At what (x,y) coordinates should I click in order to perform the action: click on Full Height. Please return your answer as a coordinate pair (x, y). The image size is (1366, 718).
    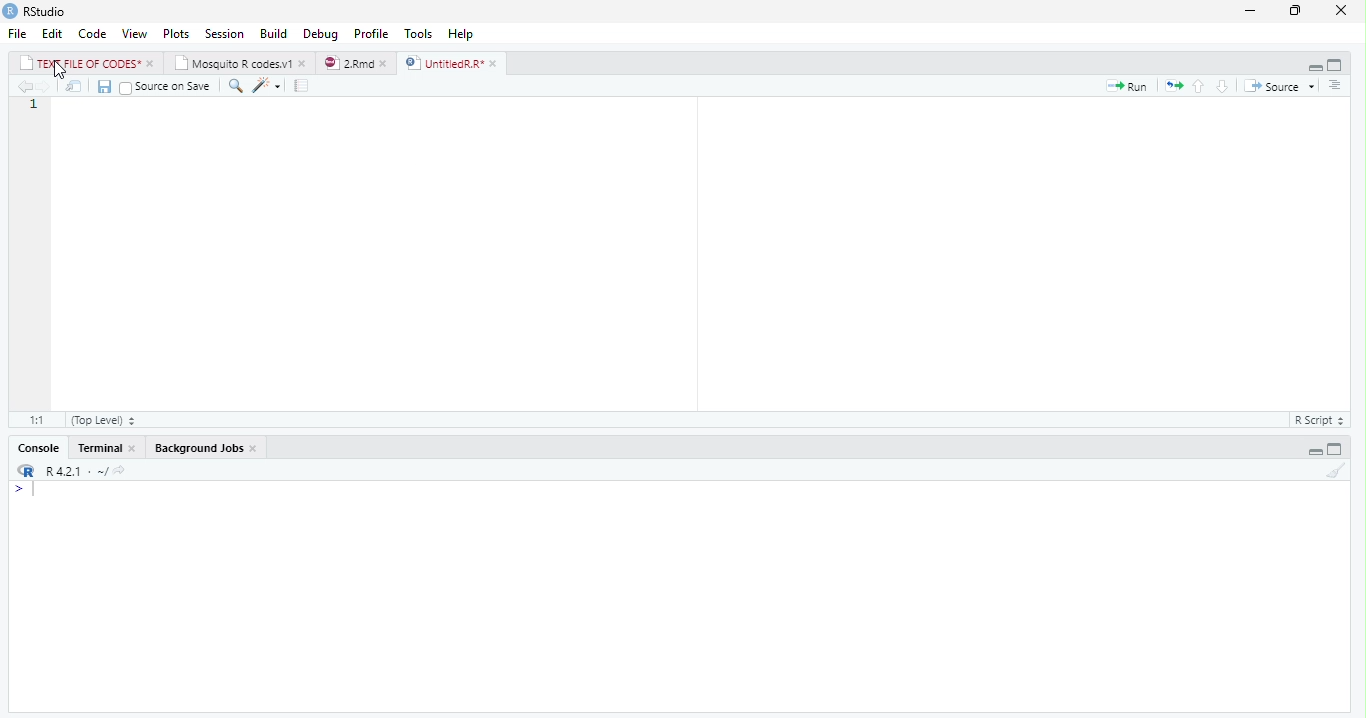
    Looking at the image, I should click on (1337, 65).